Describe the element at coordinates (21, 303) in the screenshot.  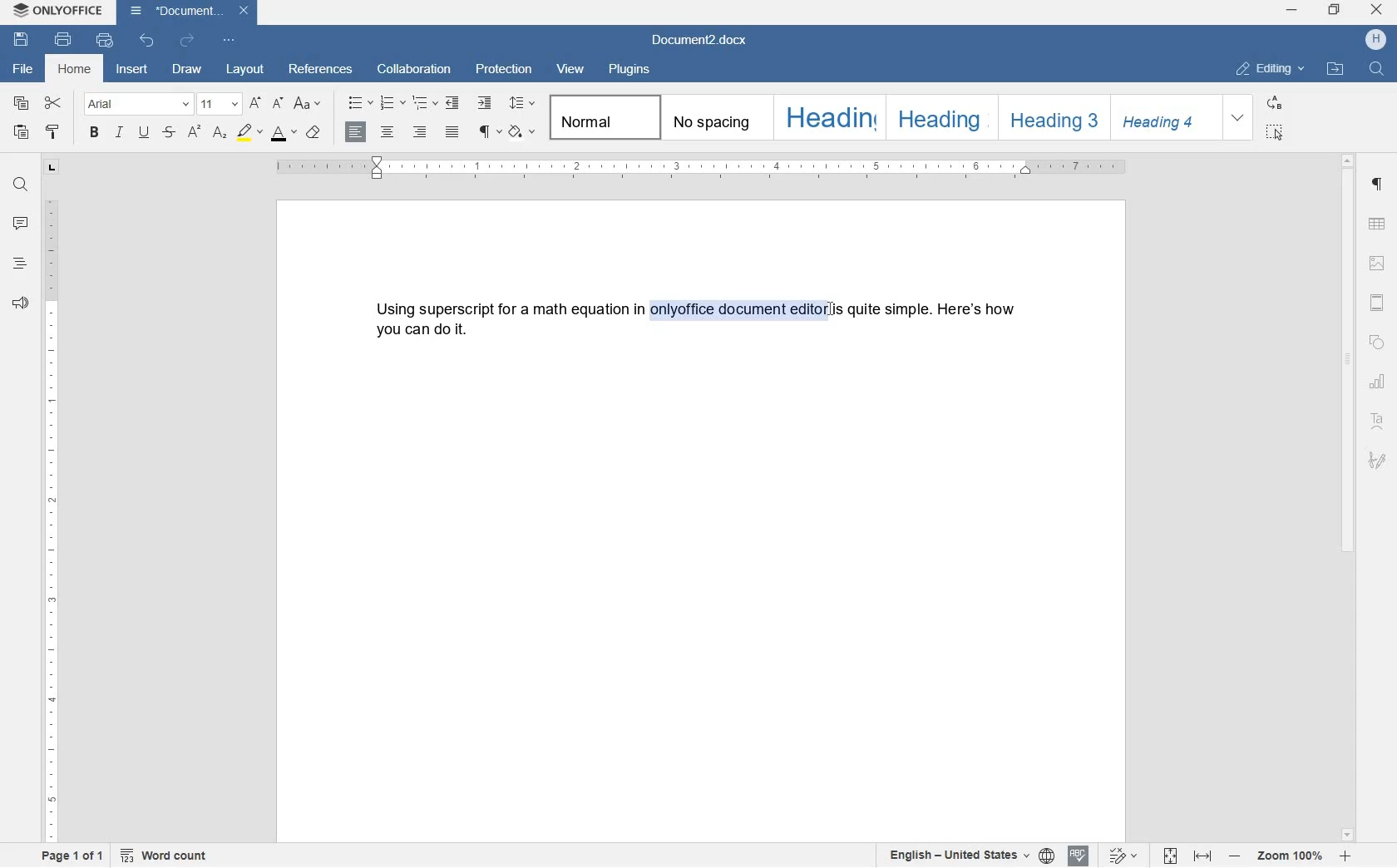
I see `feedback & support` at that location.